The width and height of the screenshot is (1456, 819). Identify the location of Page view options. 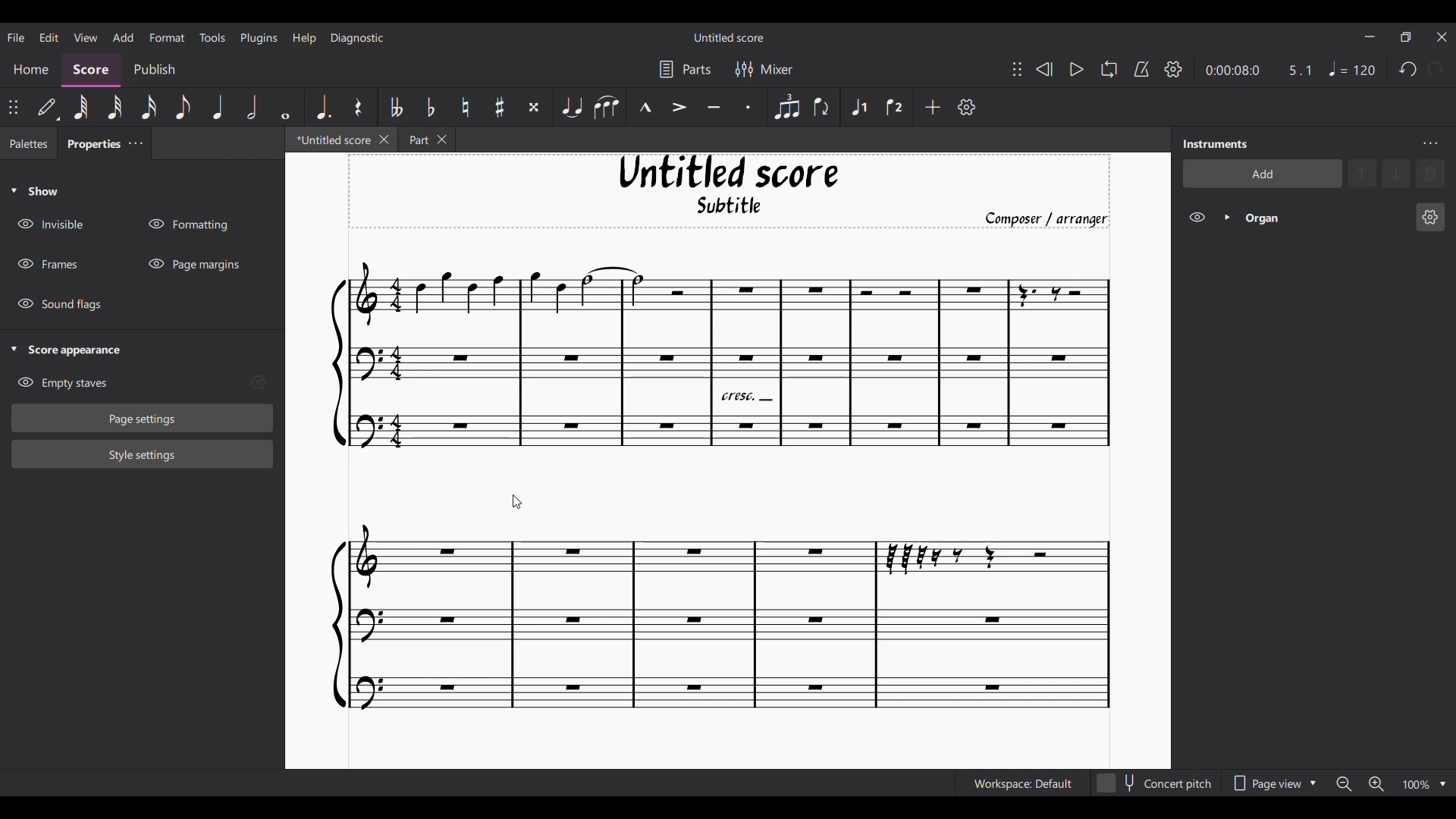
(1271, 783).